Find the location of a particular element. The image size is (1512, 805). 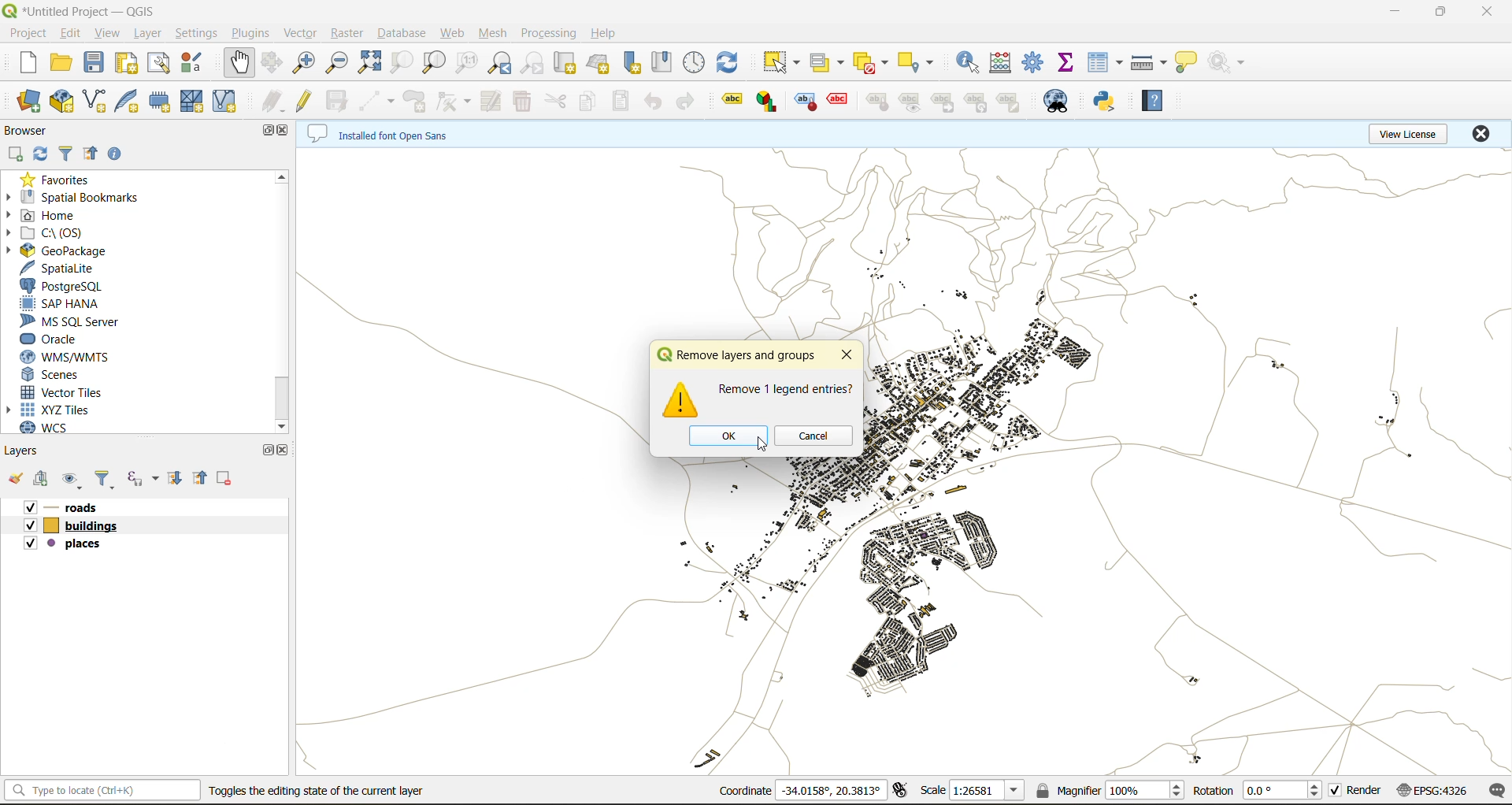

style manager is located at coordinates (190, 61).